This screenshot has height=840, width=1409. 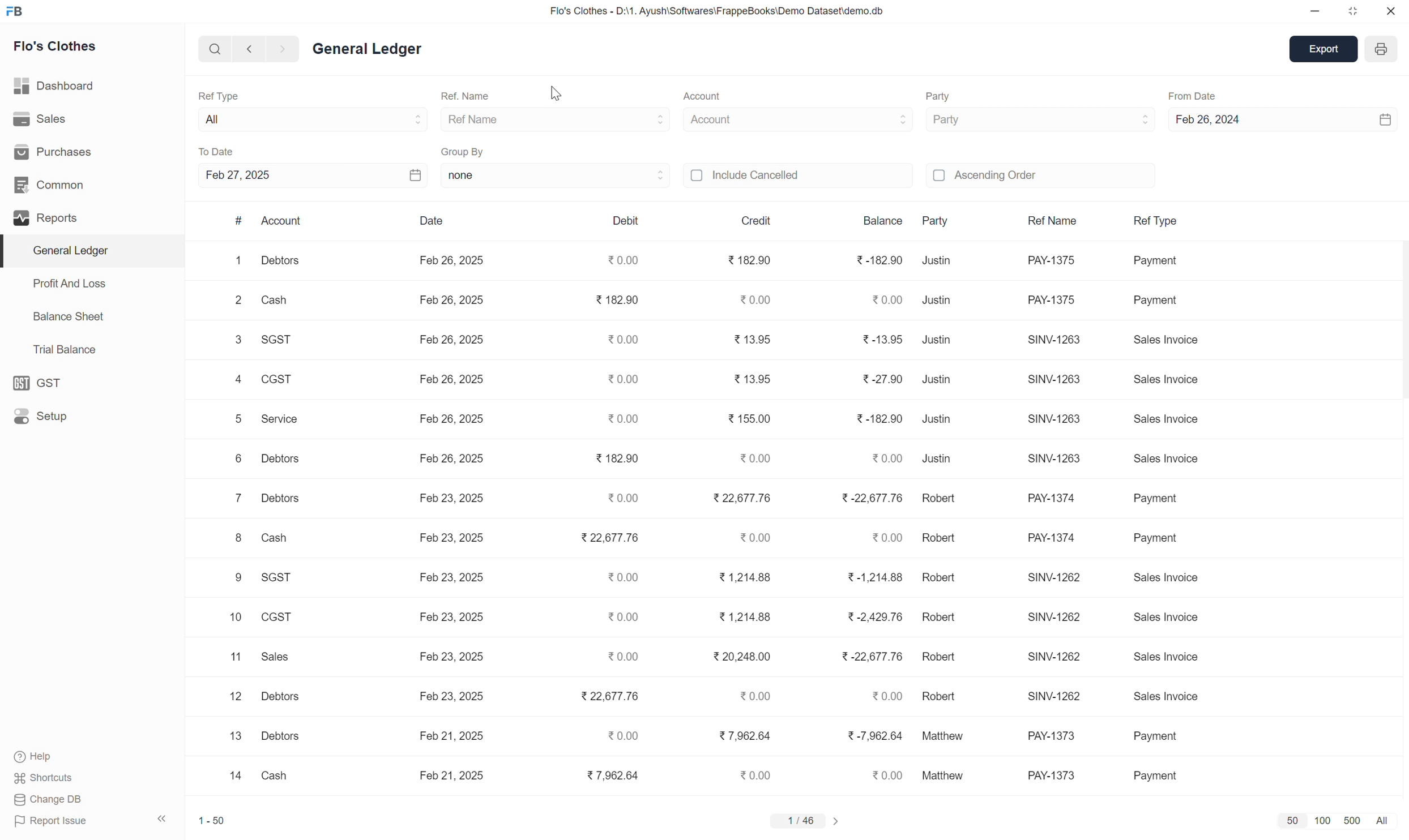 I want to click on ref type, so click(x=220, y=96).